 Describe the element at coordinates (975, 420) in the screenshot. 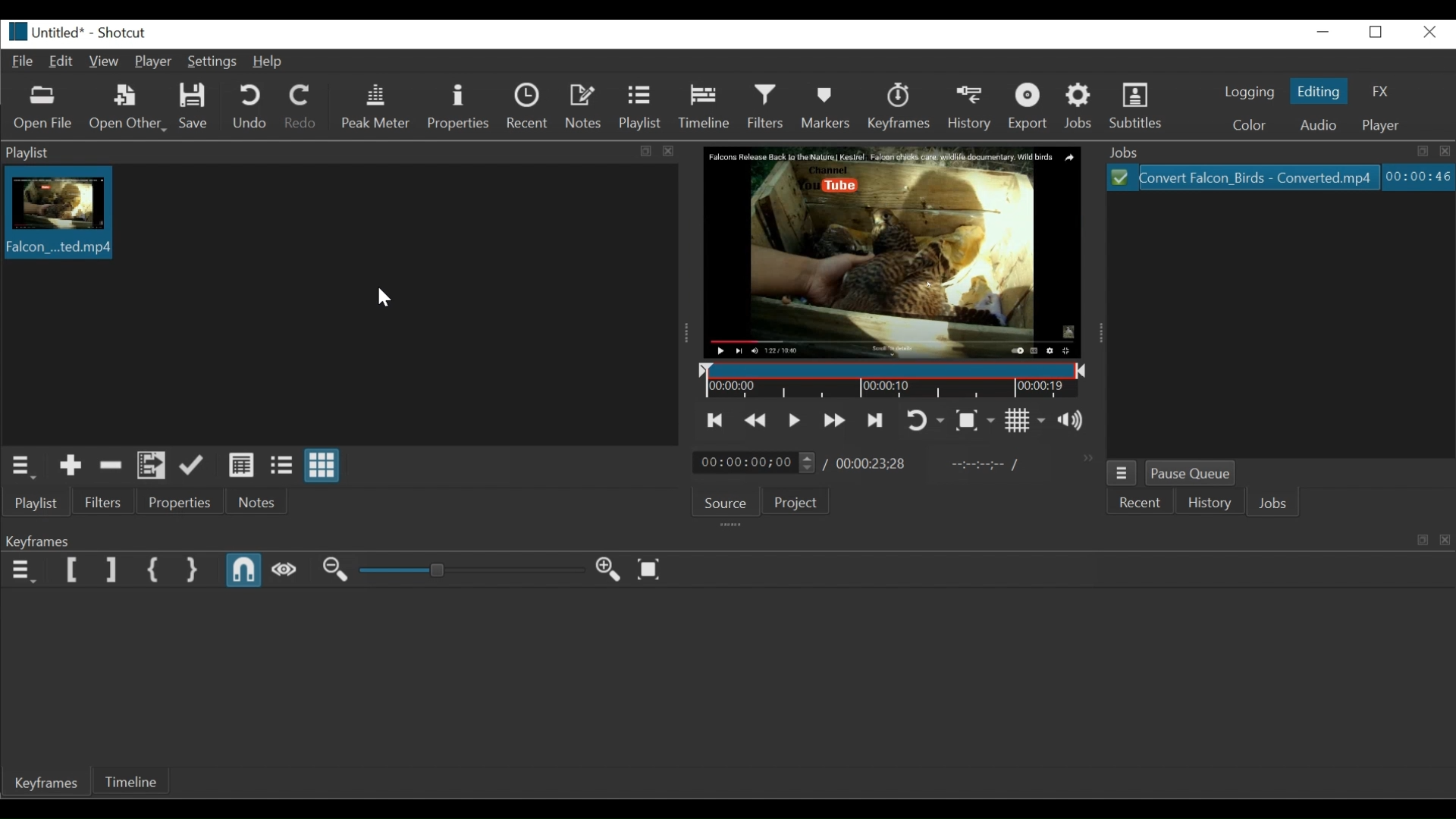

I see `Toggle Zoom` at that location.